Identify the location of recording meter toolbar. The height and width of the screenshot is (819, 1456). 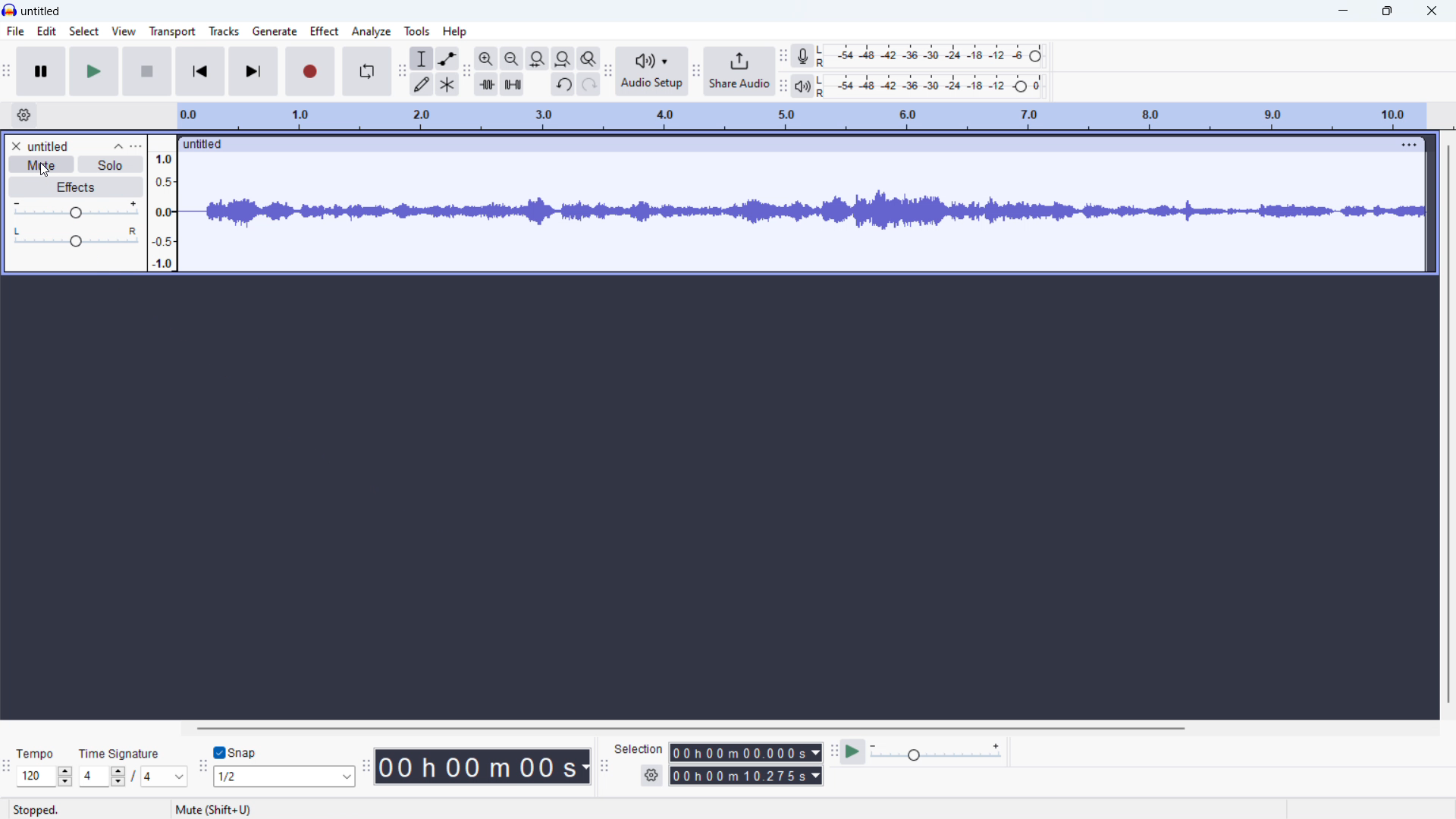
(784, 55).